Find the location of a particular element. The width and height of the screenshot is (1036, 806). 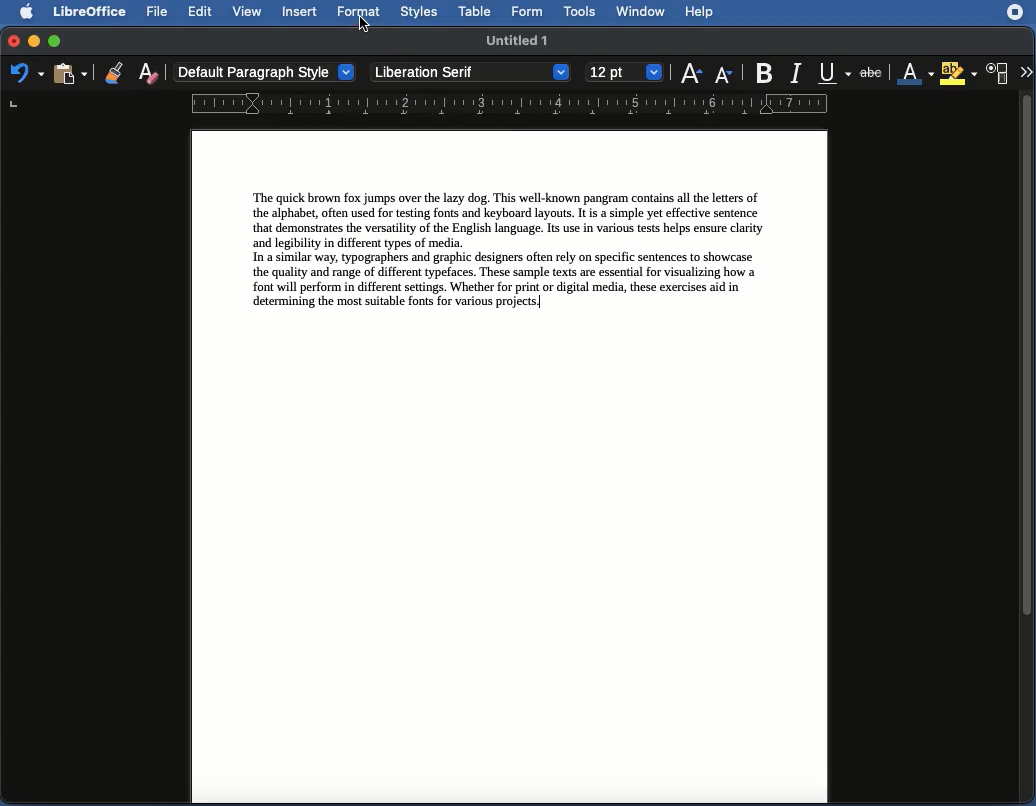

More is located at coordinates (1025, 70).